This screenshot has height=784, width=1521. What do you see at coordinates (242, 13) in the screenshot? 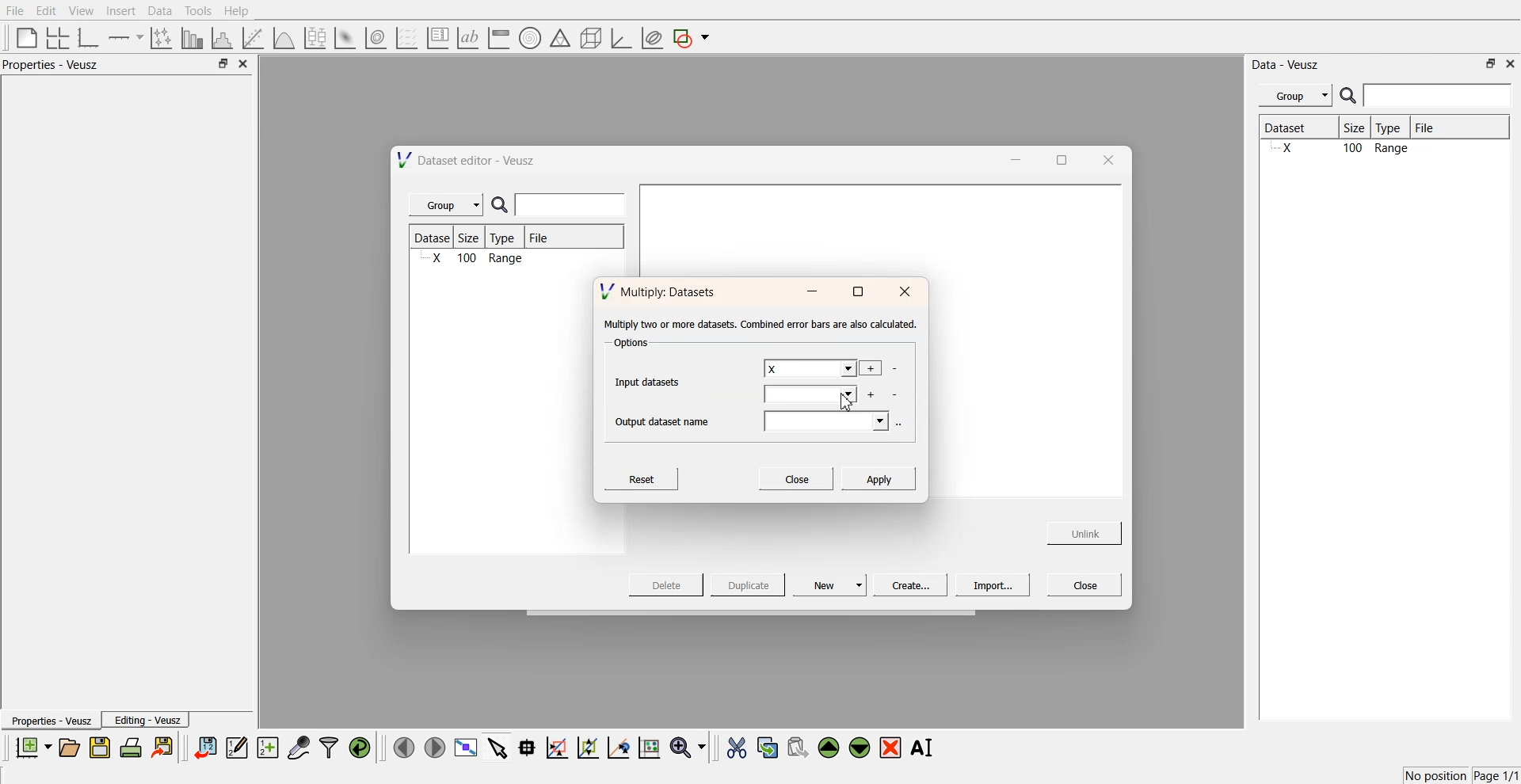
I see `Help` at bounding box center [242, 13].